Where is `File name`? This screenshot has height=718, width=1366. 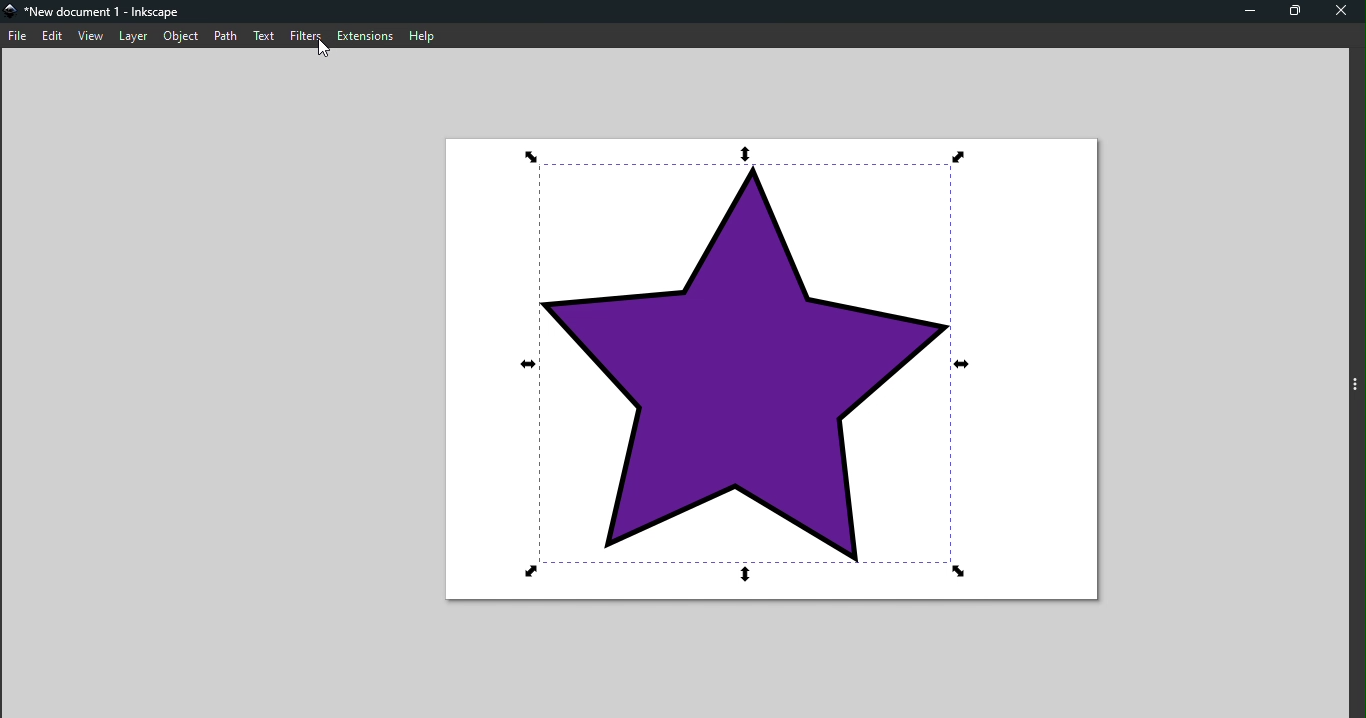 File name is located at coordinates (95, 12).